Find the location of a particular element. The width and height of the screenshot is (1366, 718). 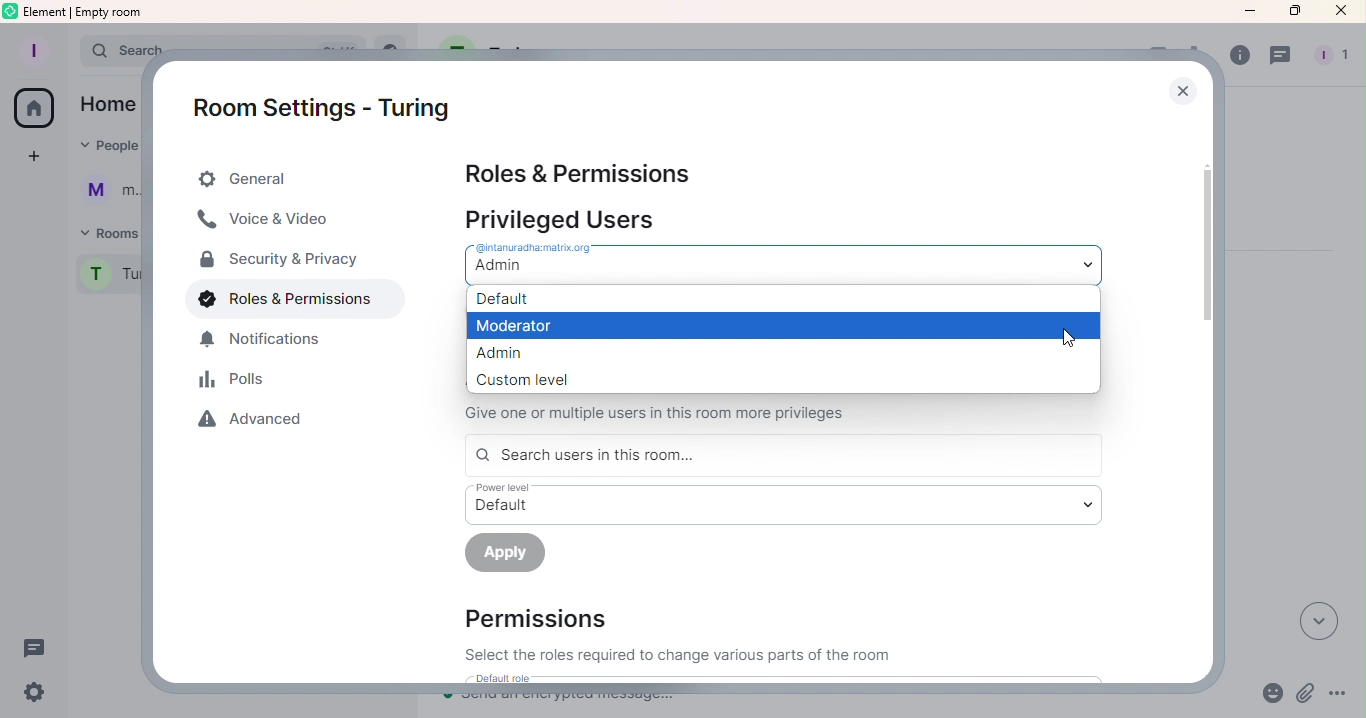

General is located at coordinates (301, 175).